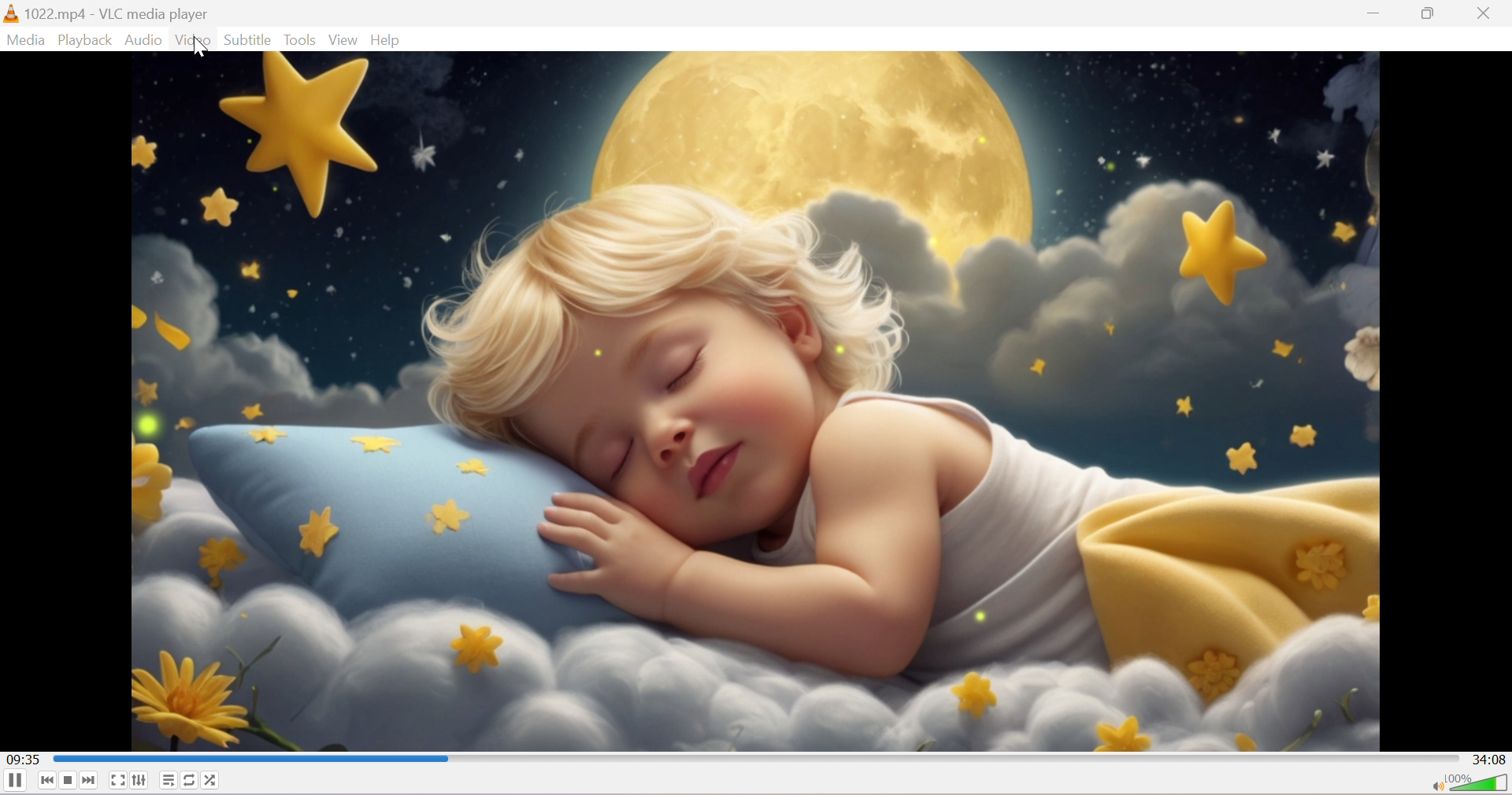 The width and height of the screenshot is (1512, 795). What do you see at coordinates (69, 780) in the screenshot?
I see `Stop playback` at bounding box center [69, 780].